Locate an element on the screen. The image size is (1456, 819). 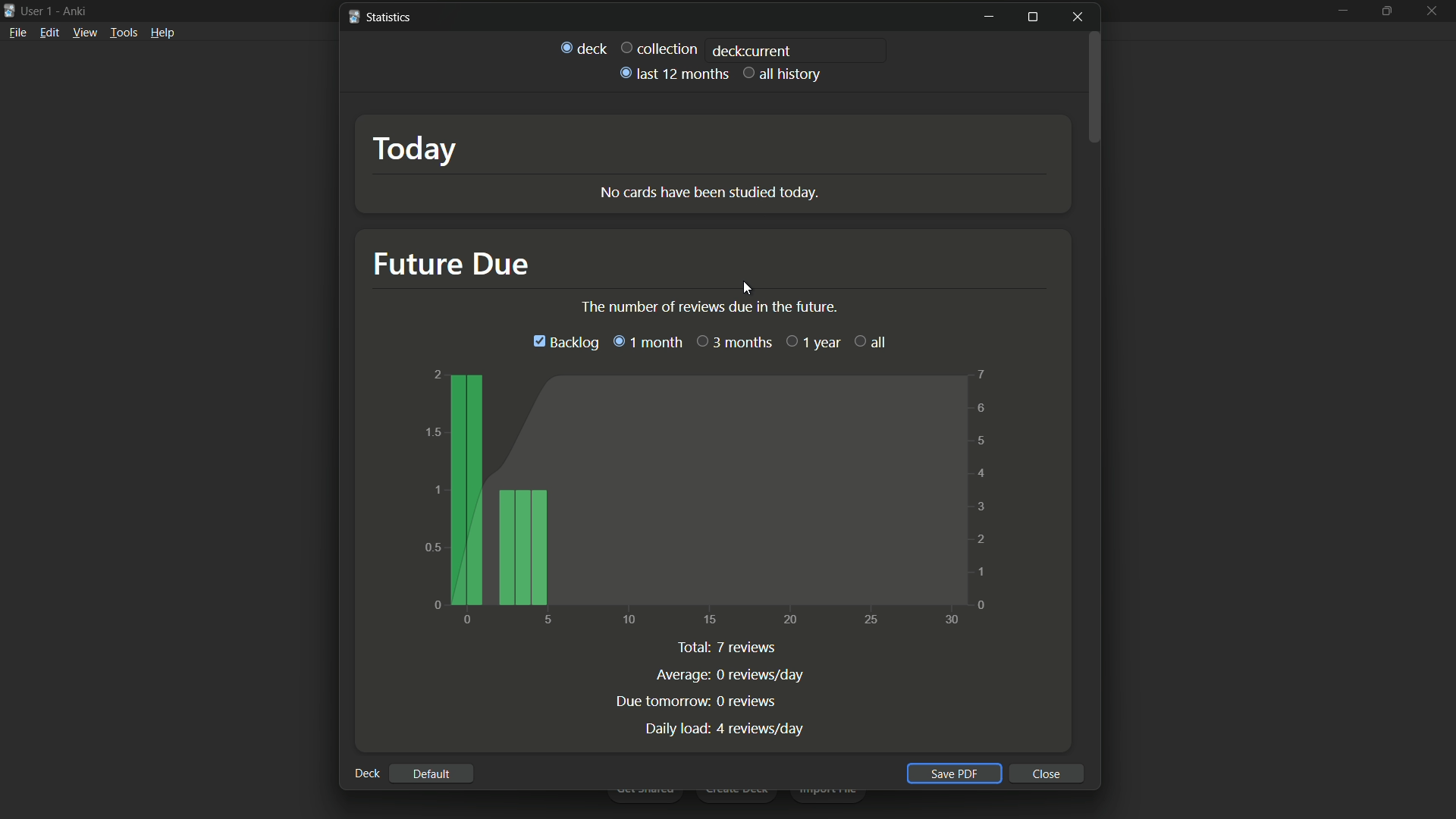
minimize is located at coordinates (989, 18).